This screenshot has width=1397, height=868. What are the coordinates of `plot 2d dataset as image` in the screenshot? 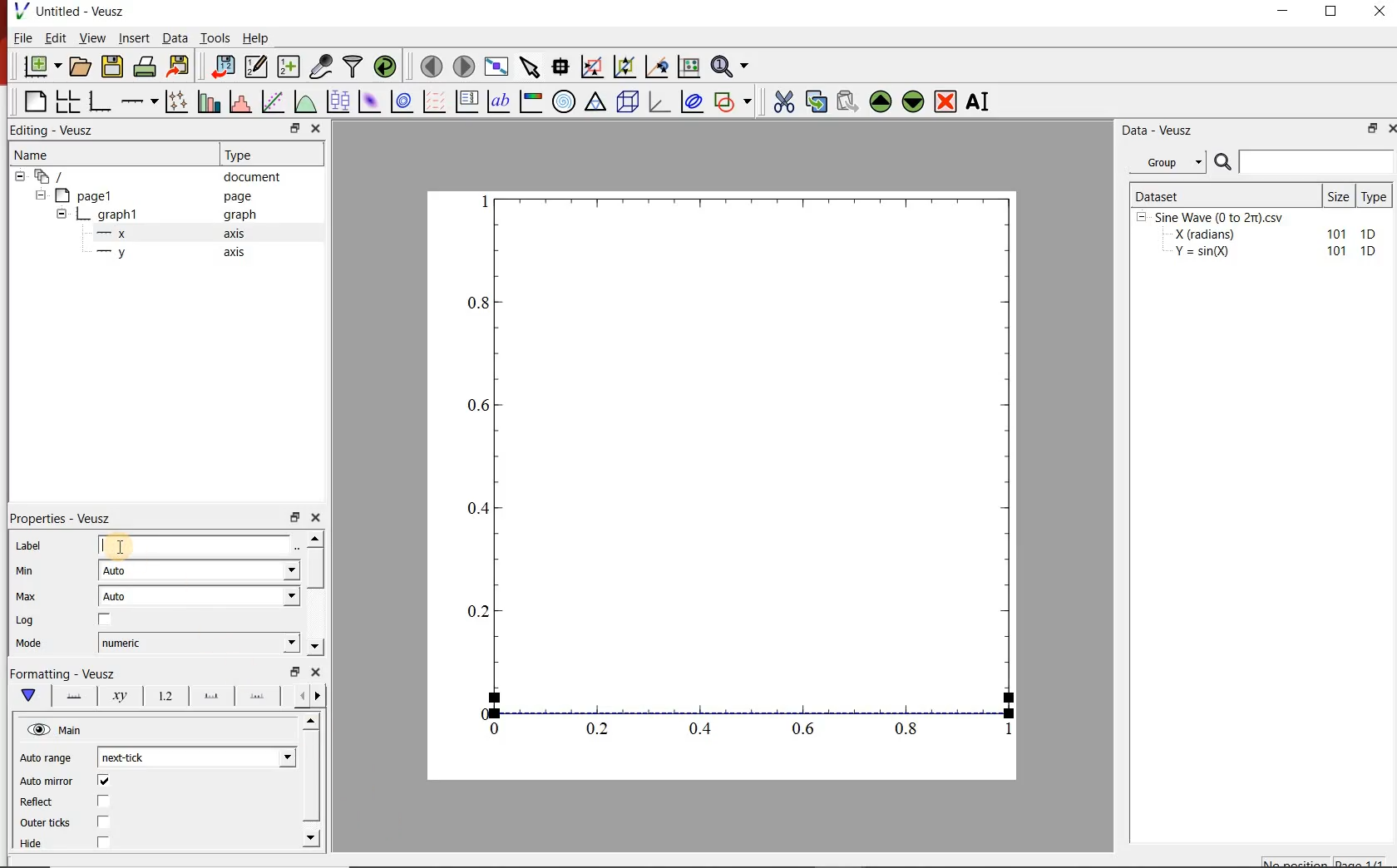 It's located at (370, 101).